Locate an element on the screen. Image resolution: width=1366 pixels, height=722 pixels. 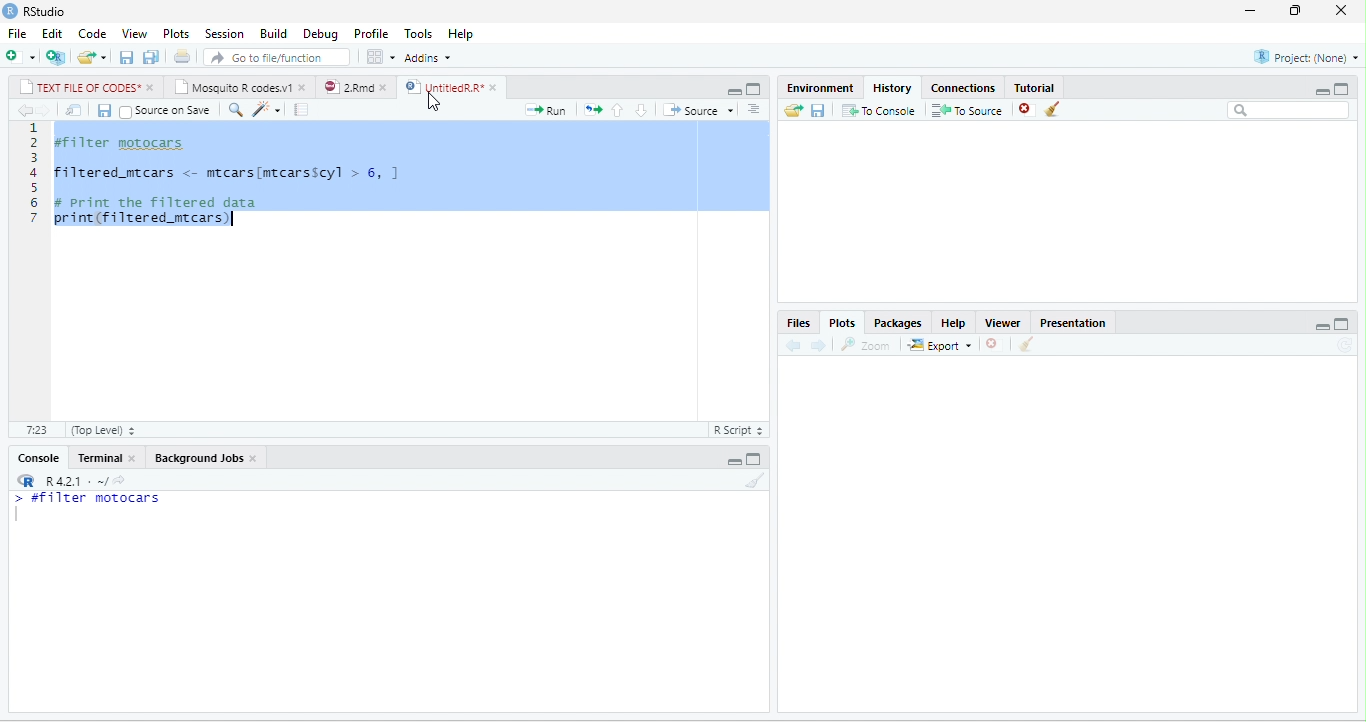
Help is located at coordinates (953, 323).